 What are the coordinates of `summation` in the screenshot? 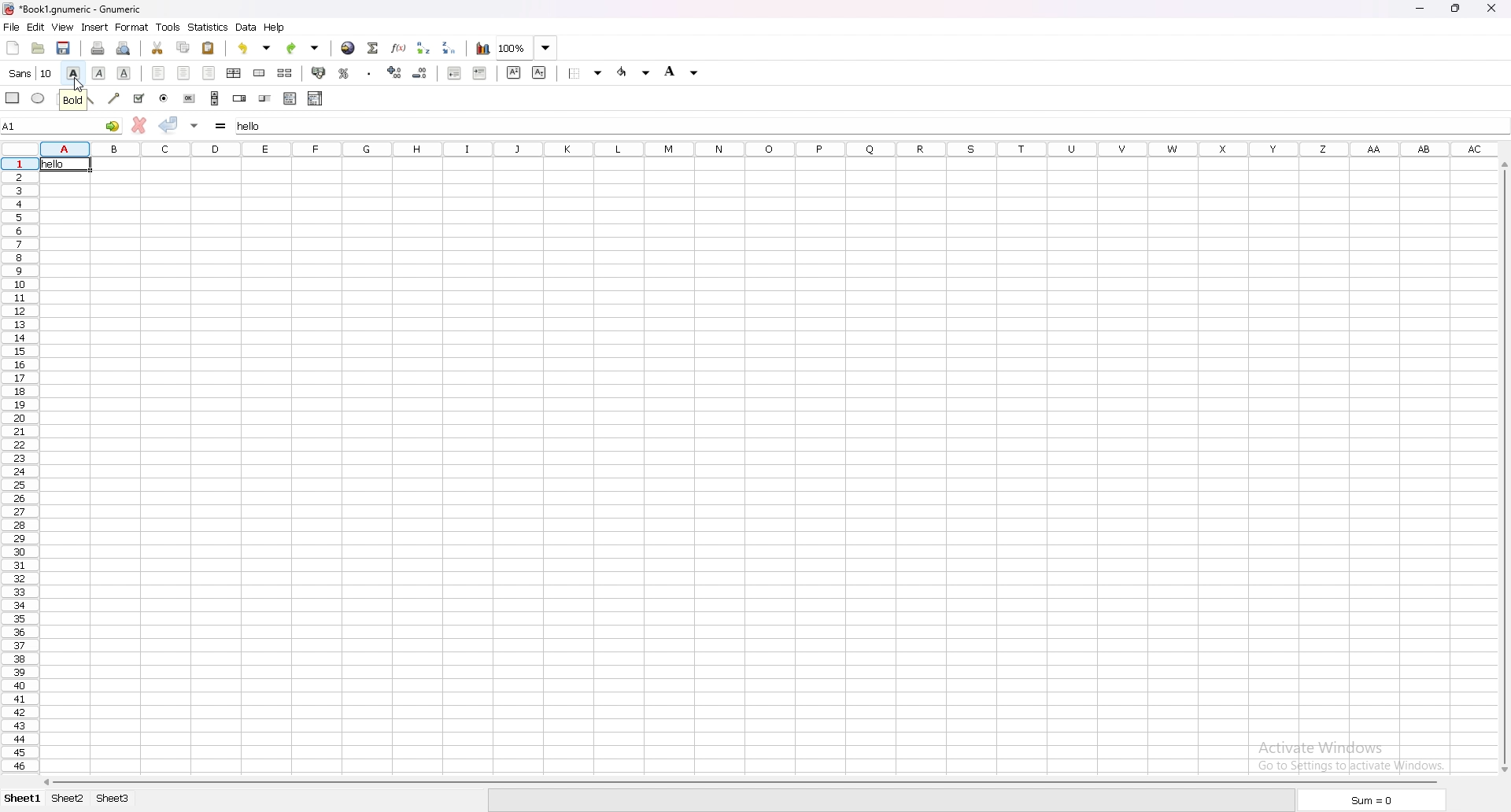 It's located at (372, 48).